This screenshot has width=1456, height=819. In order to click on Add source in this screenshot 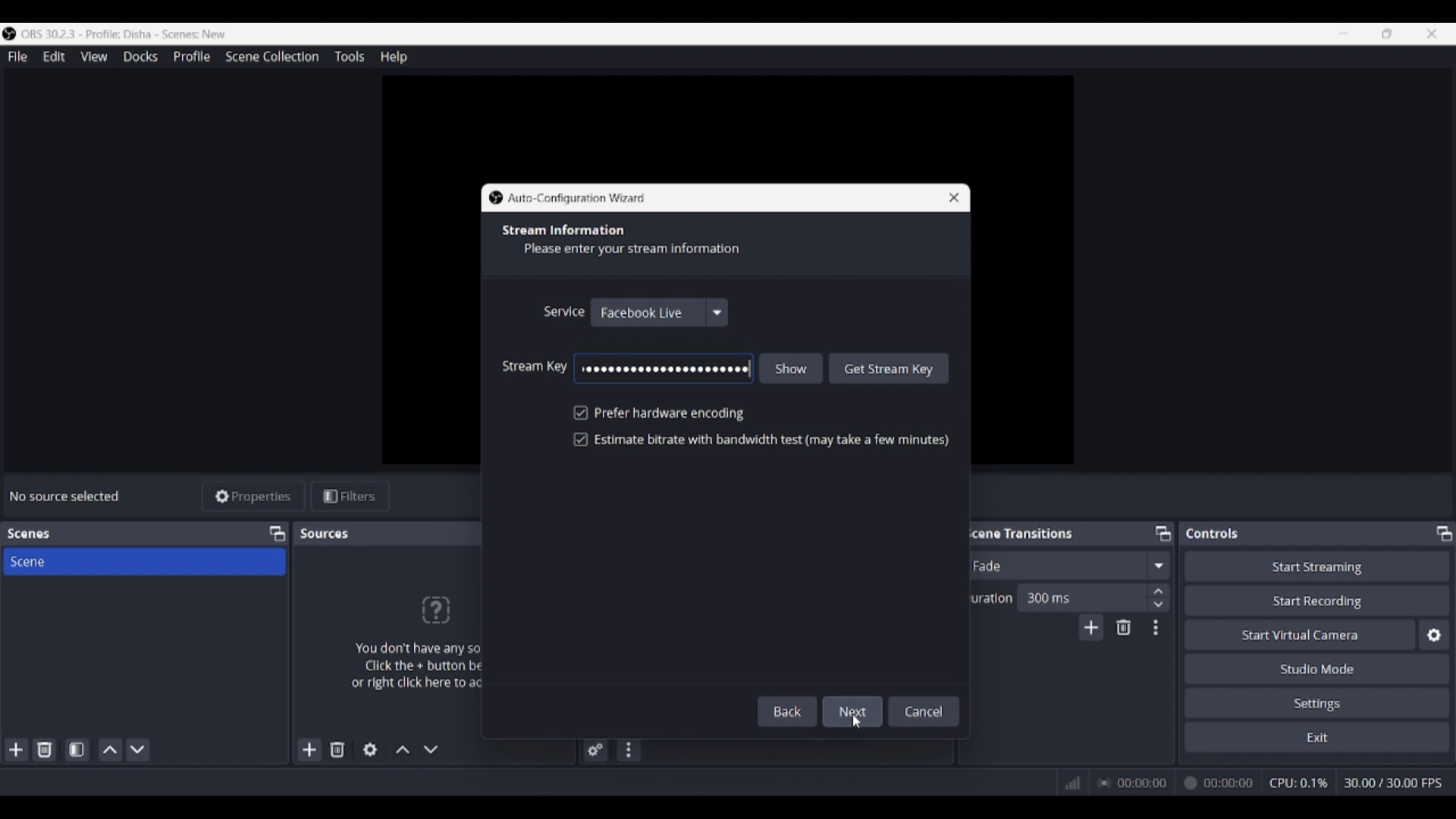, I will do `click(310, 749)`.